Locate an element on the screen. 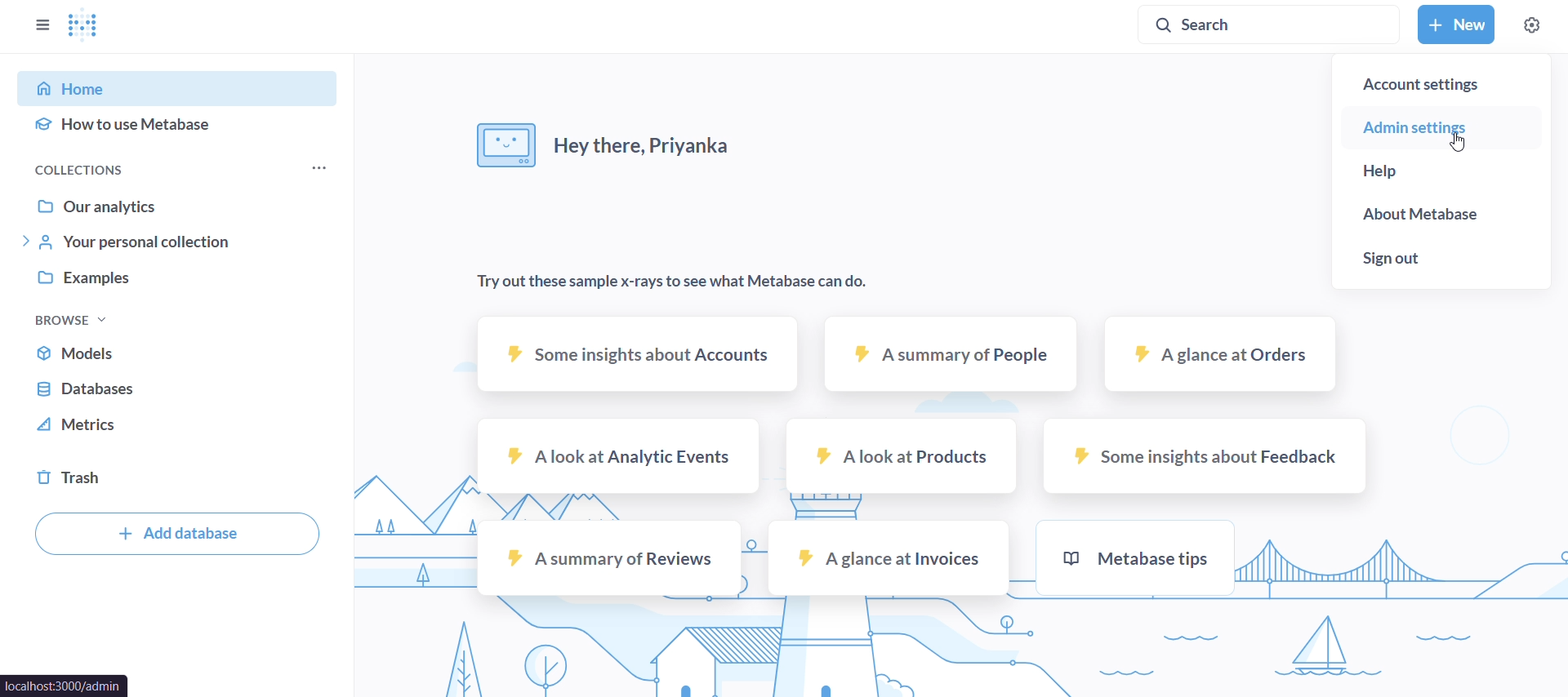 The height and width of the screenshot is (697, 1568). a glance at invoices is located at coordinates (888, 557).